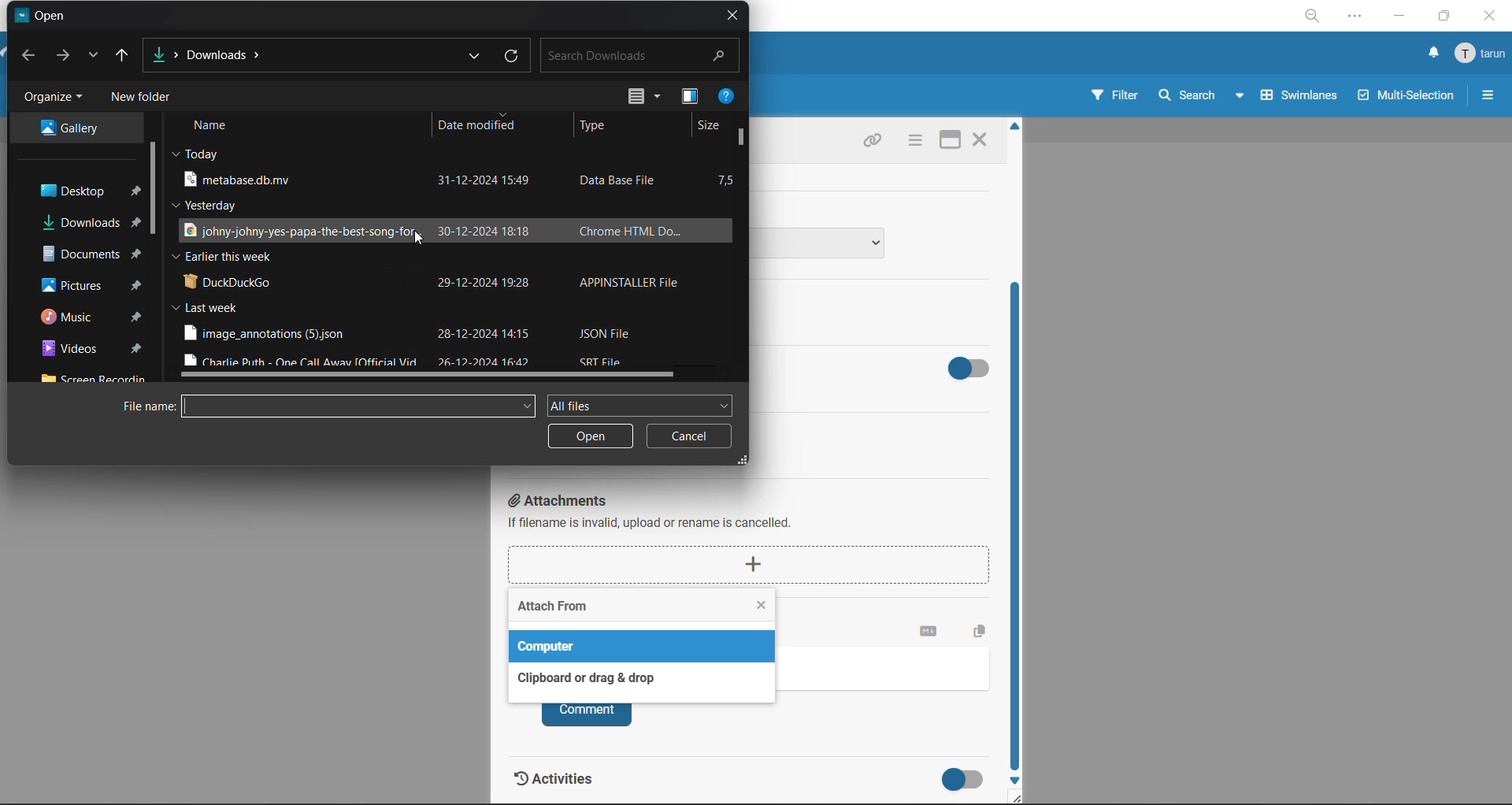  I want to click on horizontal scroll bar, so click(439, 373).